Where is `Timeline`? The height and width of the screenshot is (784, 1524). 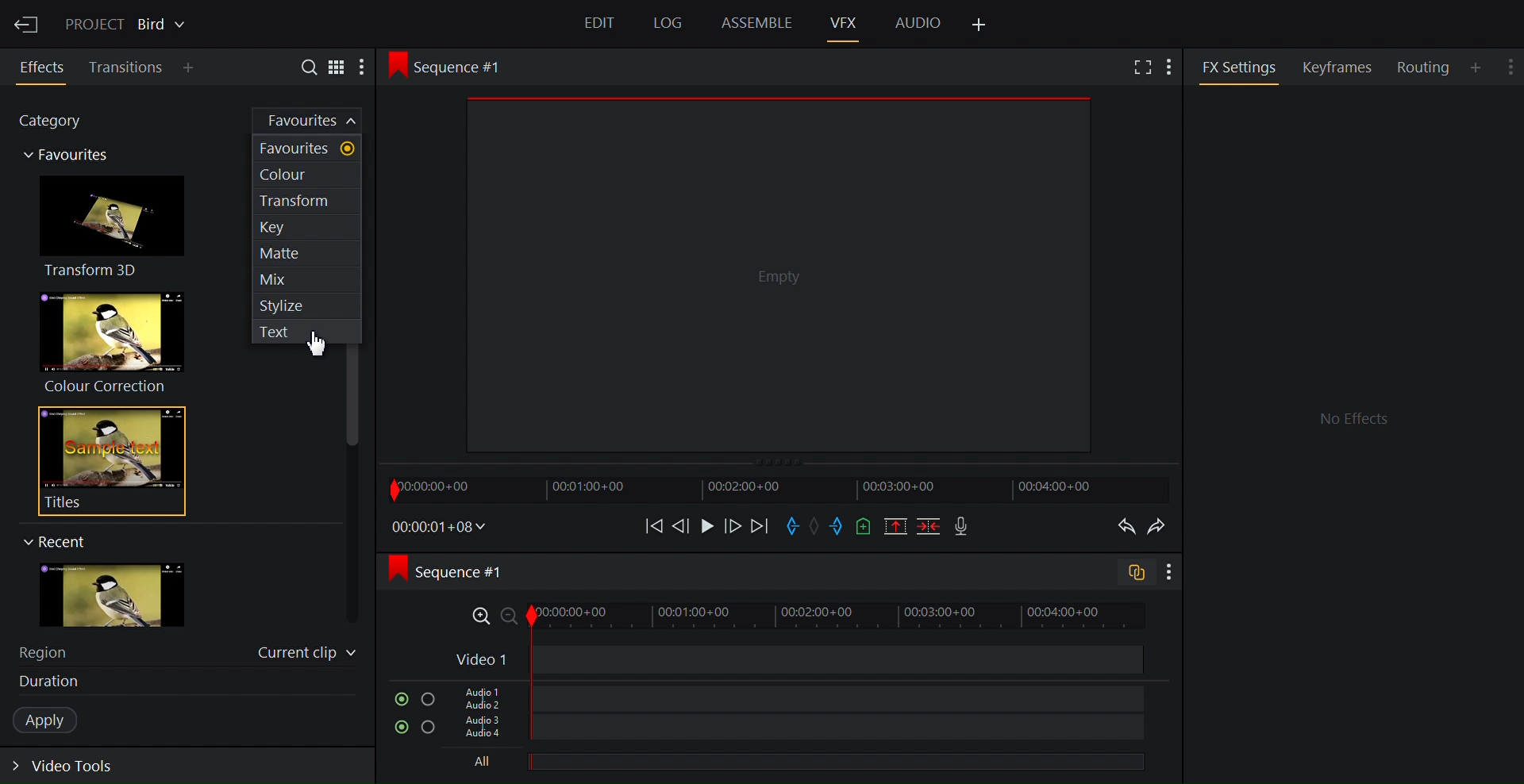 Timeline is located at coordinates (777, 489).